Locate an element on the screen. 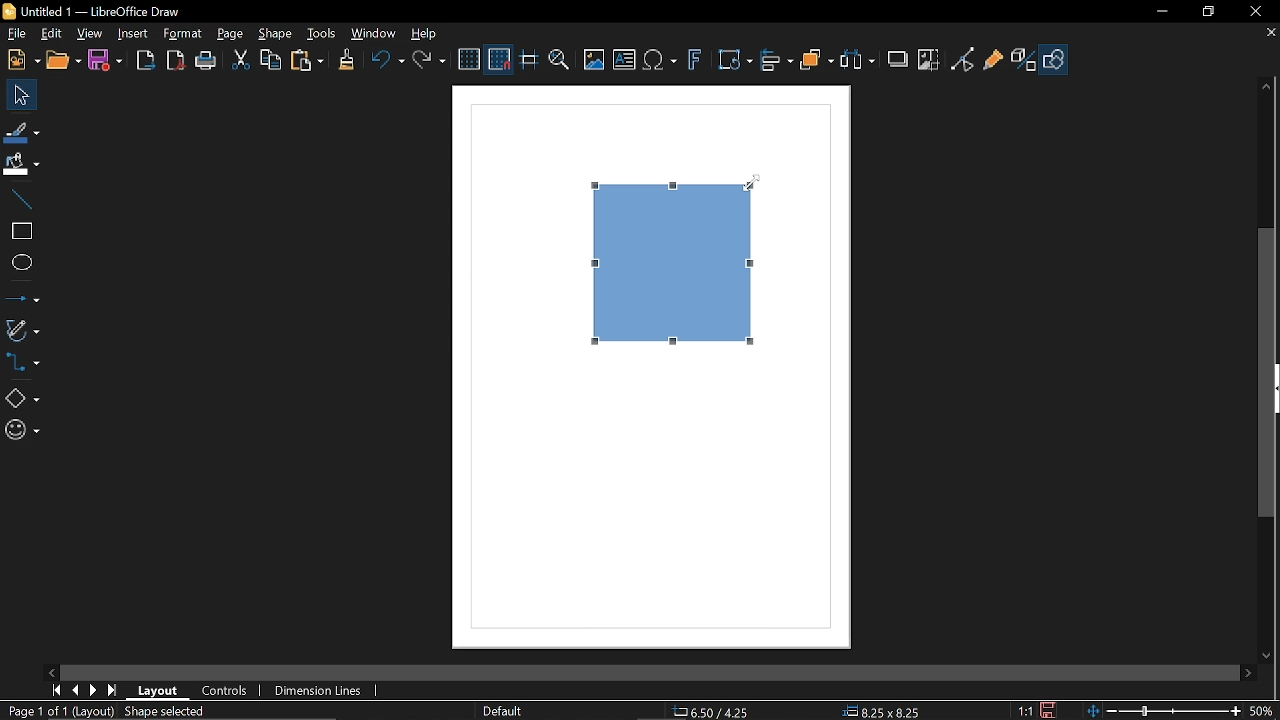 Image resolution: width=1280 pixels, height=720 pixels. File is located at coordinates (15, 33).